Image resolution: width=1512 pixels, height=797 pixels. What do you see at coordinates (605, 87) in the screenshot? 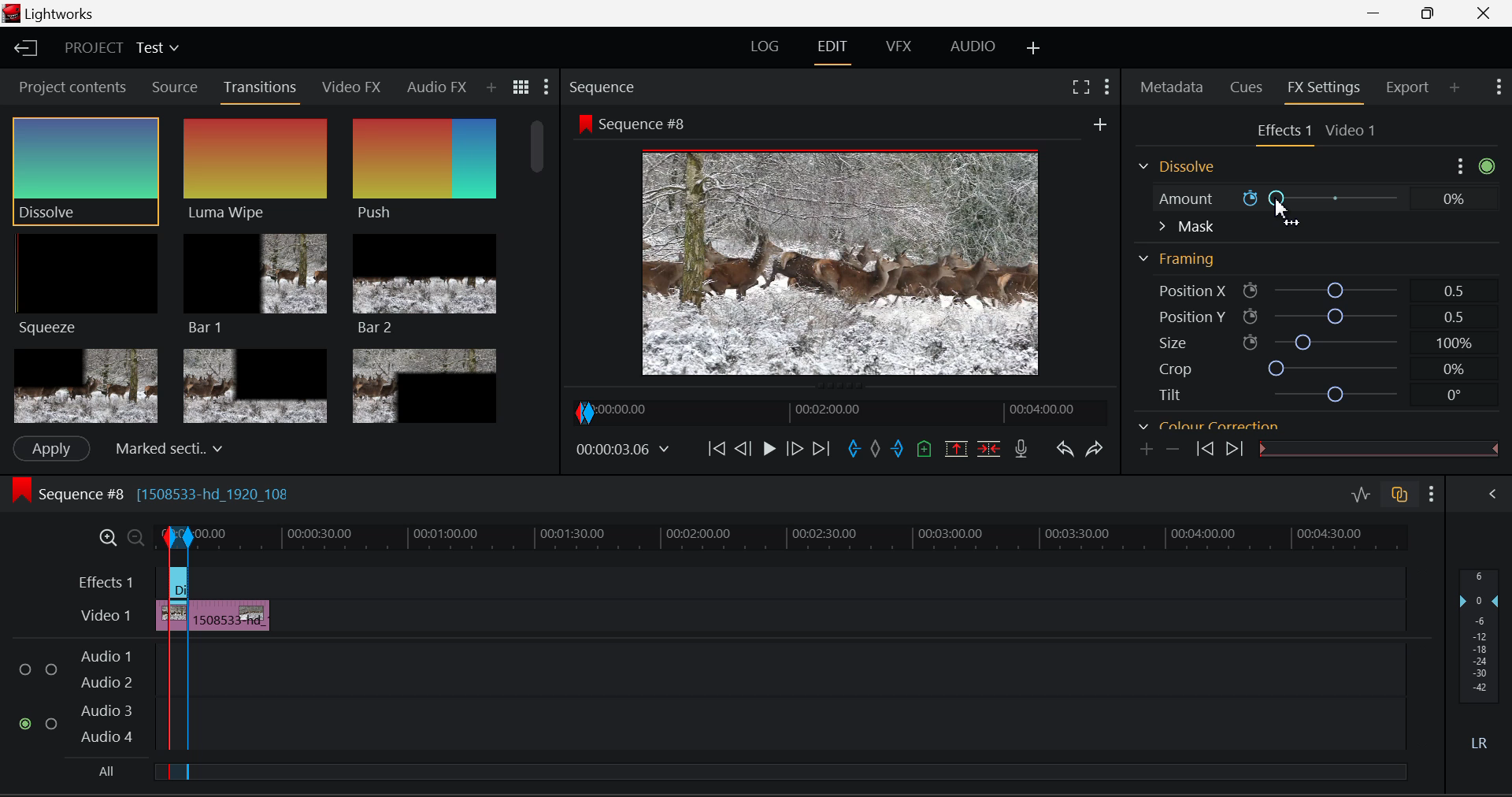
I see `Sequence Preview Section` at bounding box center [605, 87].